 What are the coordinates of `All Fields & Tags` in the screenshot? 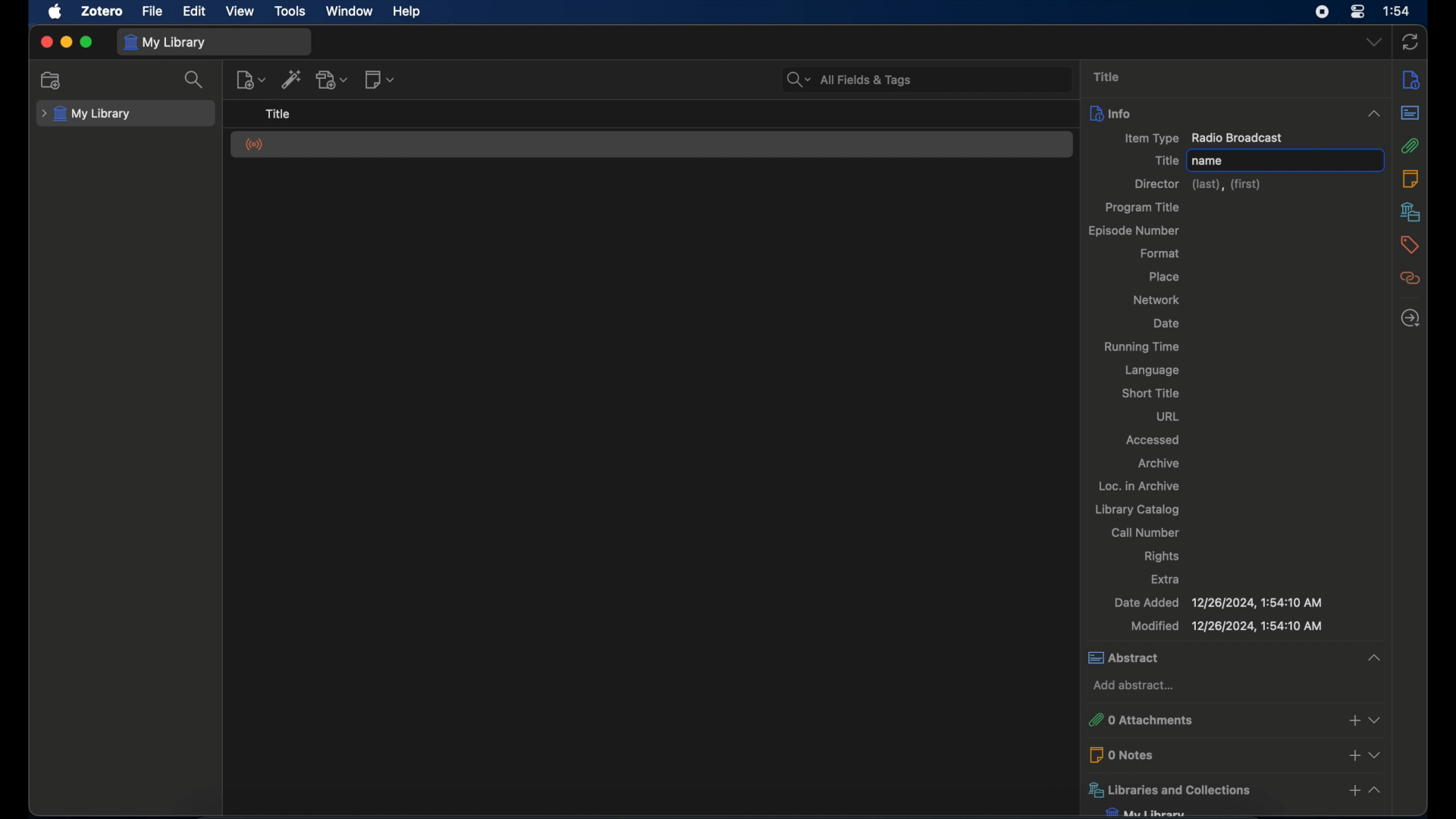 It's located at (925, 77).